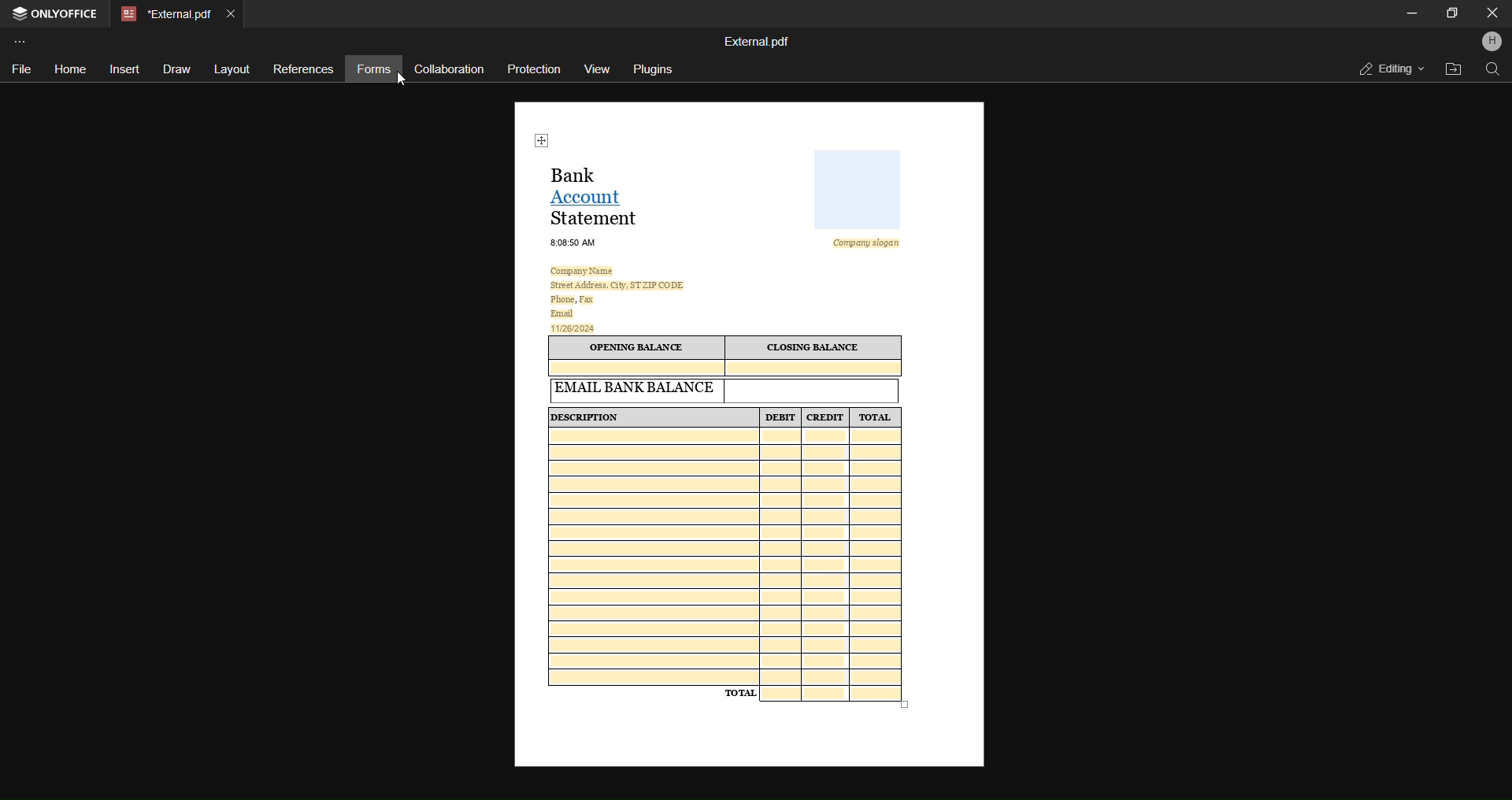 This screenshot has height=800, width=1512. I want to click on profile, so click(1491, 43).